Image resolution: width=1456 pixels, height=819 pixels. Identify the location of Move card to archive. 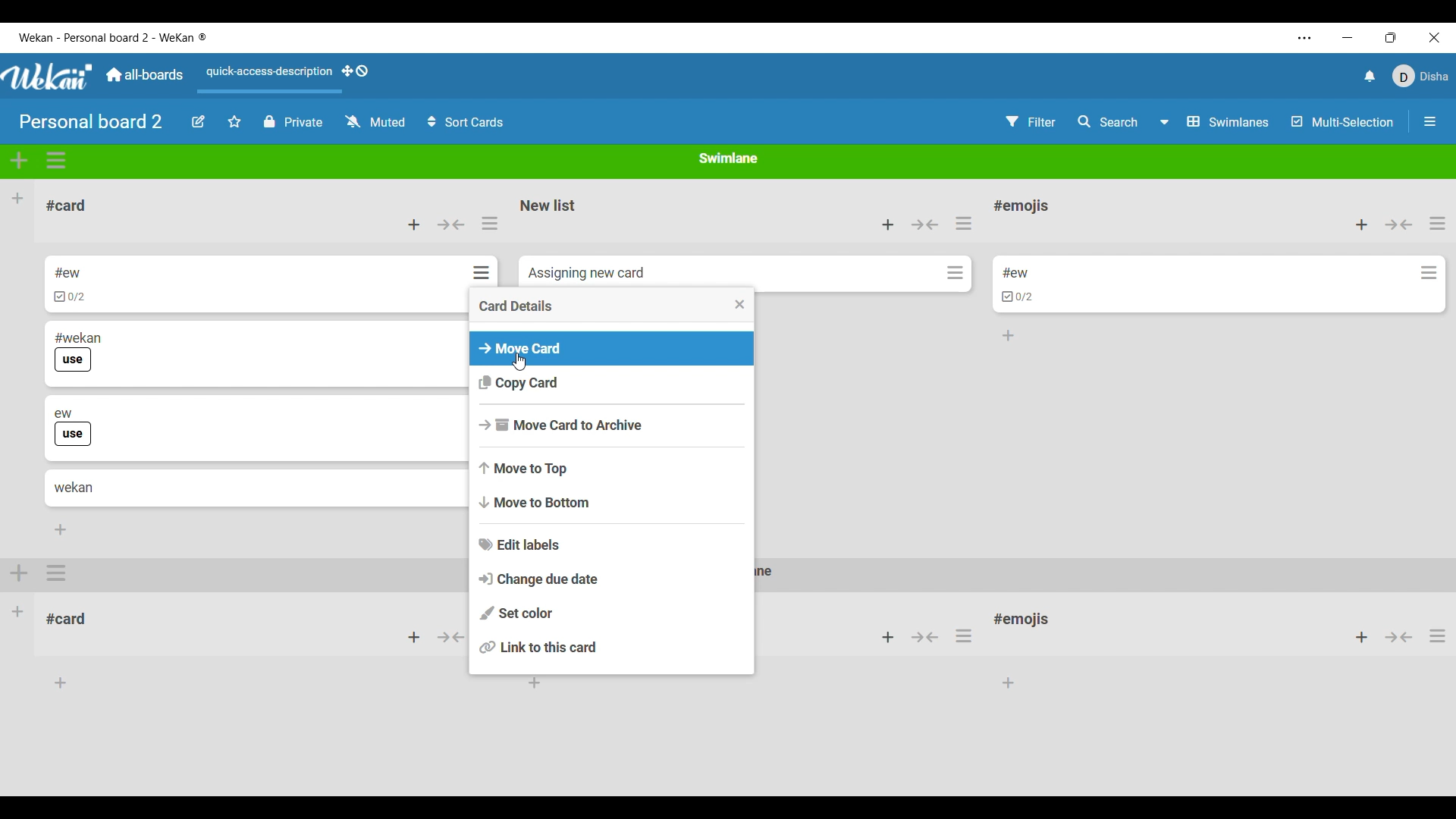
(612, 425).